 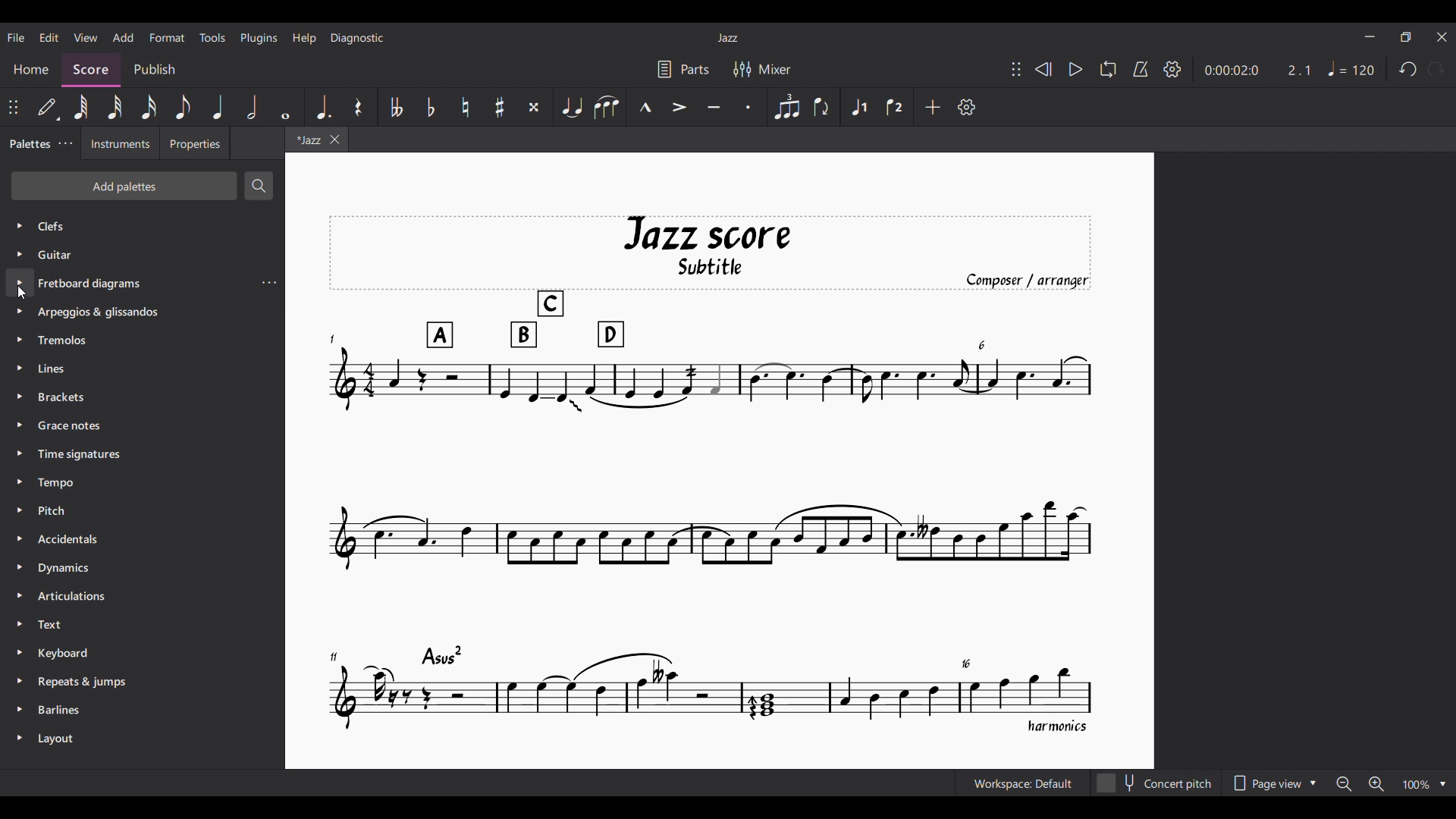 What do you see at coordinates (1351, 68) in the screenshot?
I see `Tempo` at bounding box center [1351, 68].